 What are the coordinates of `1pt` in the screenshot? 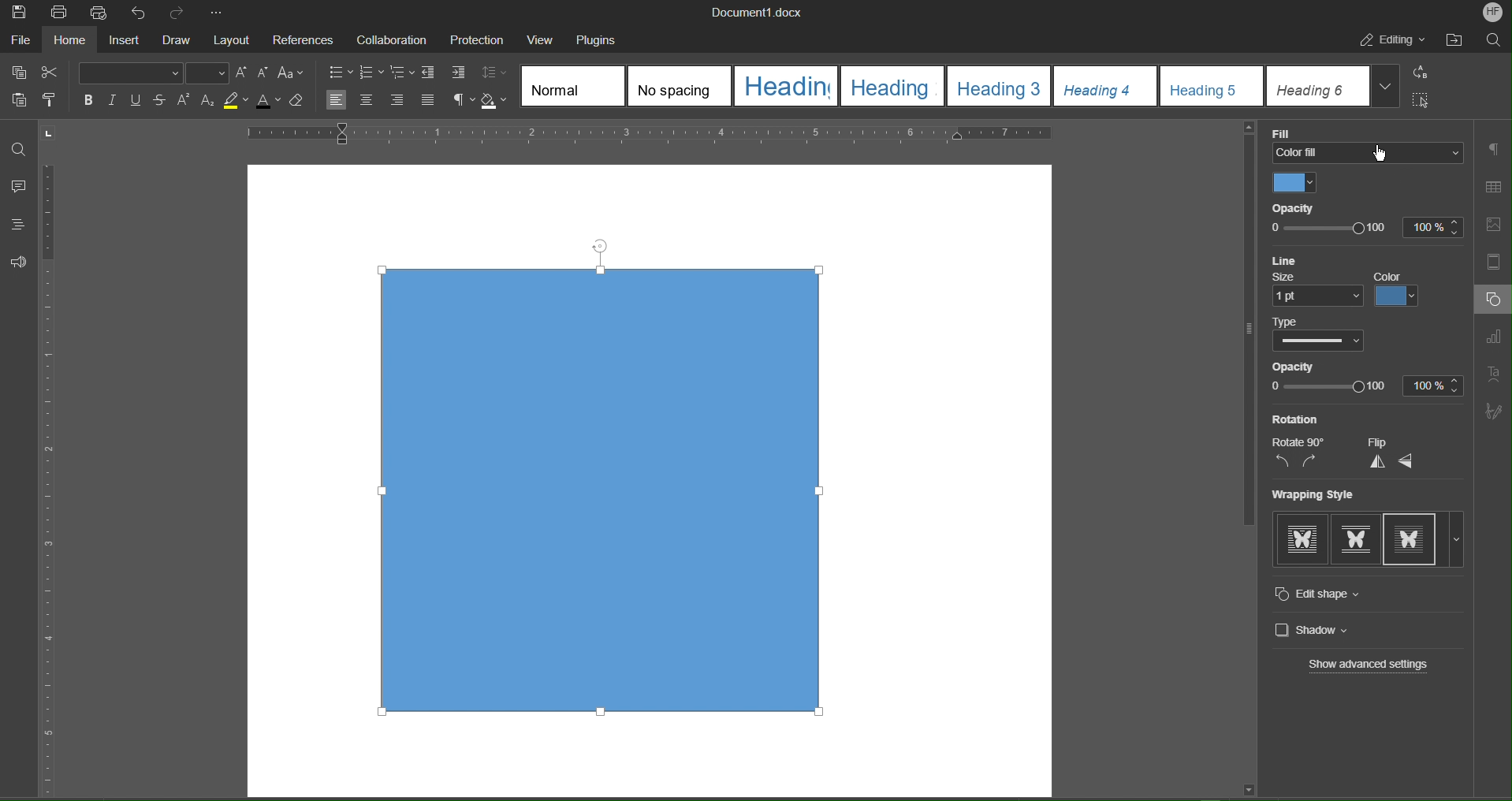 It's located at (1314, 296).